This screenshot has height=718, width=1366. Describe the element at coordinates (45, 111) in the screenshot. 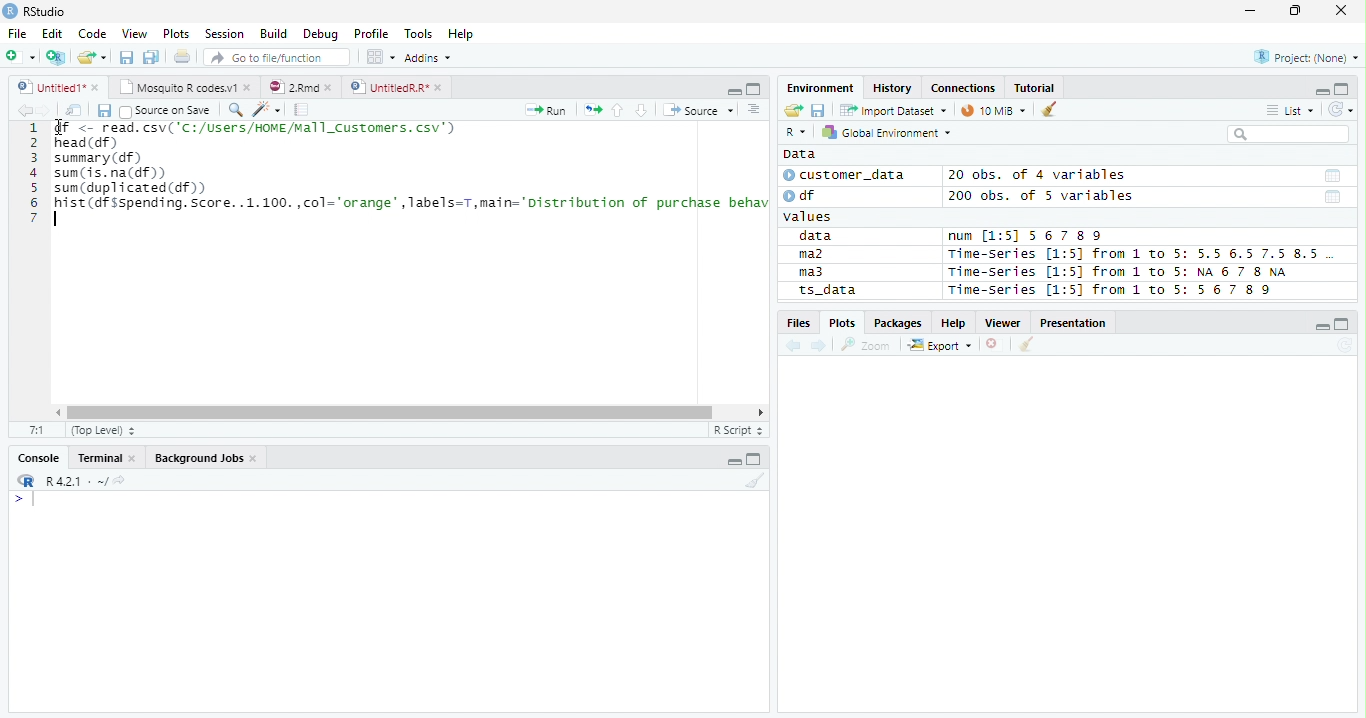

I see `Next` at that location.